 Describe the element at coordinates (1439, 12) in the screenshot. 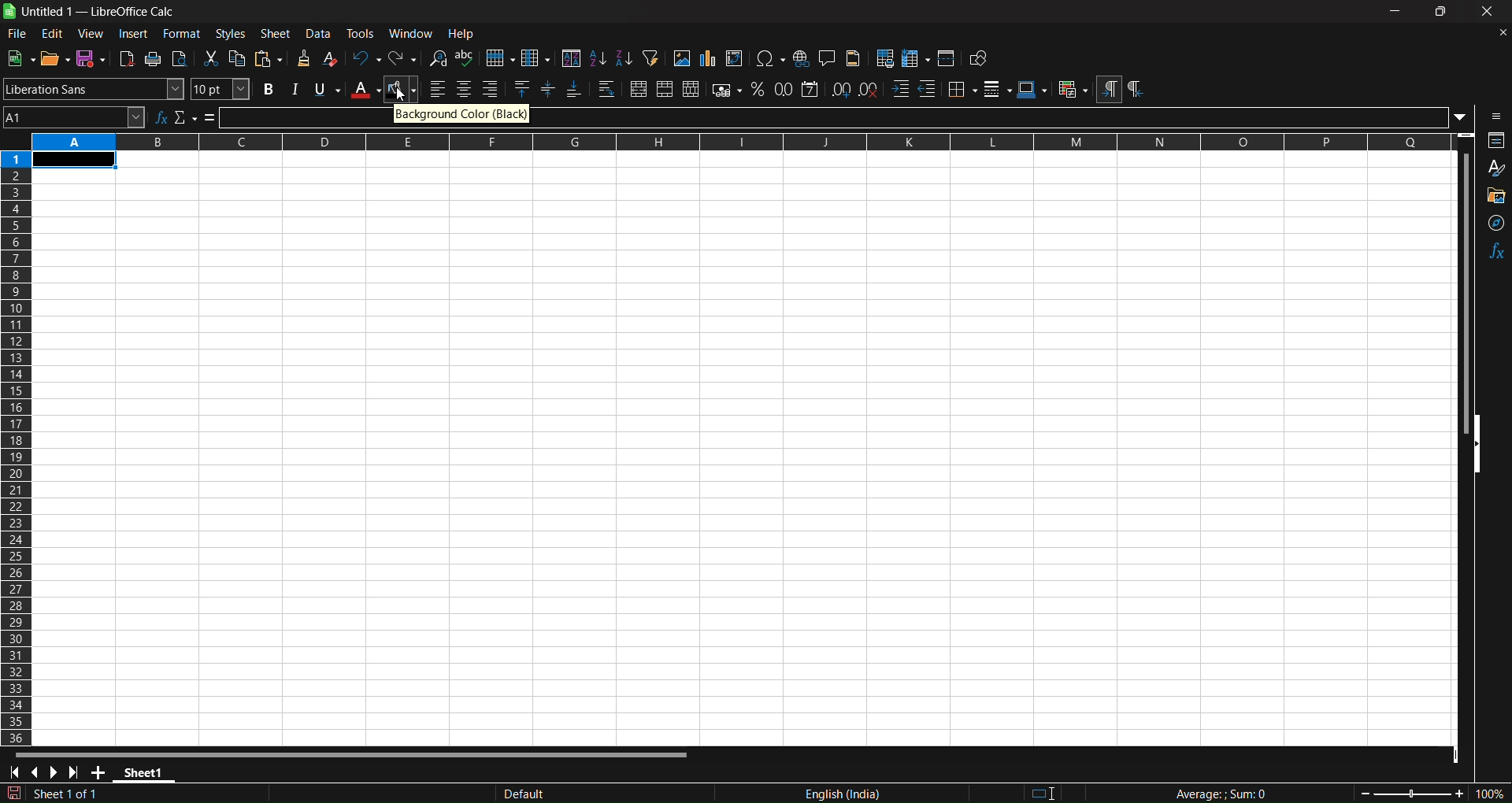

I see `` at that location.